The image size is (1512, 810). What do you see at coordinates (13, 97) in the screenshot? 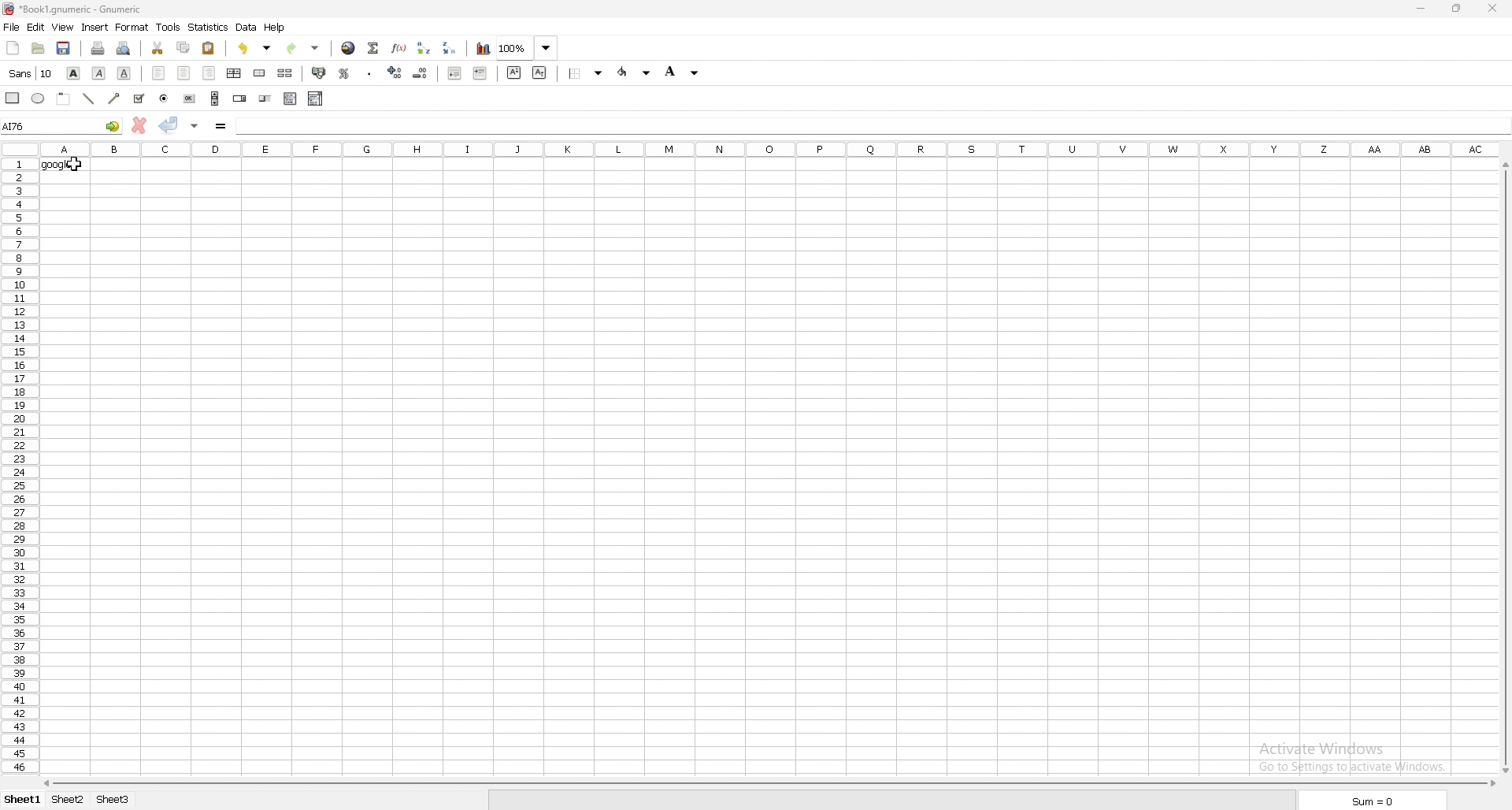
I see `rectangle` at bounding box center [13, 97].